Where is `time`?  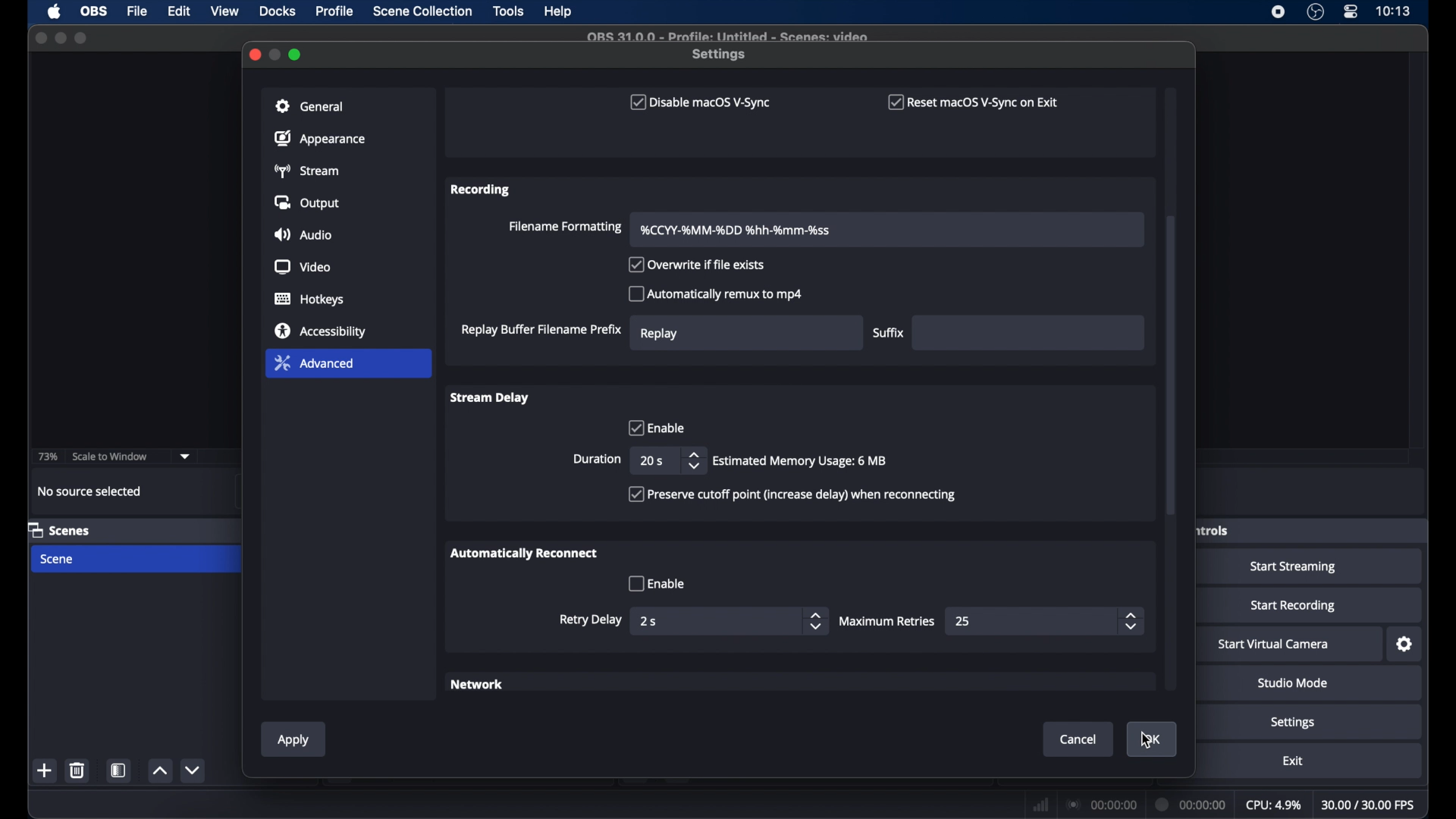 time is located at coordinates (1393, 11).